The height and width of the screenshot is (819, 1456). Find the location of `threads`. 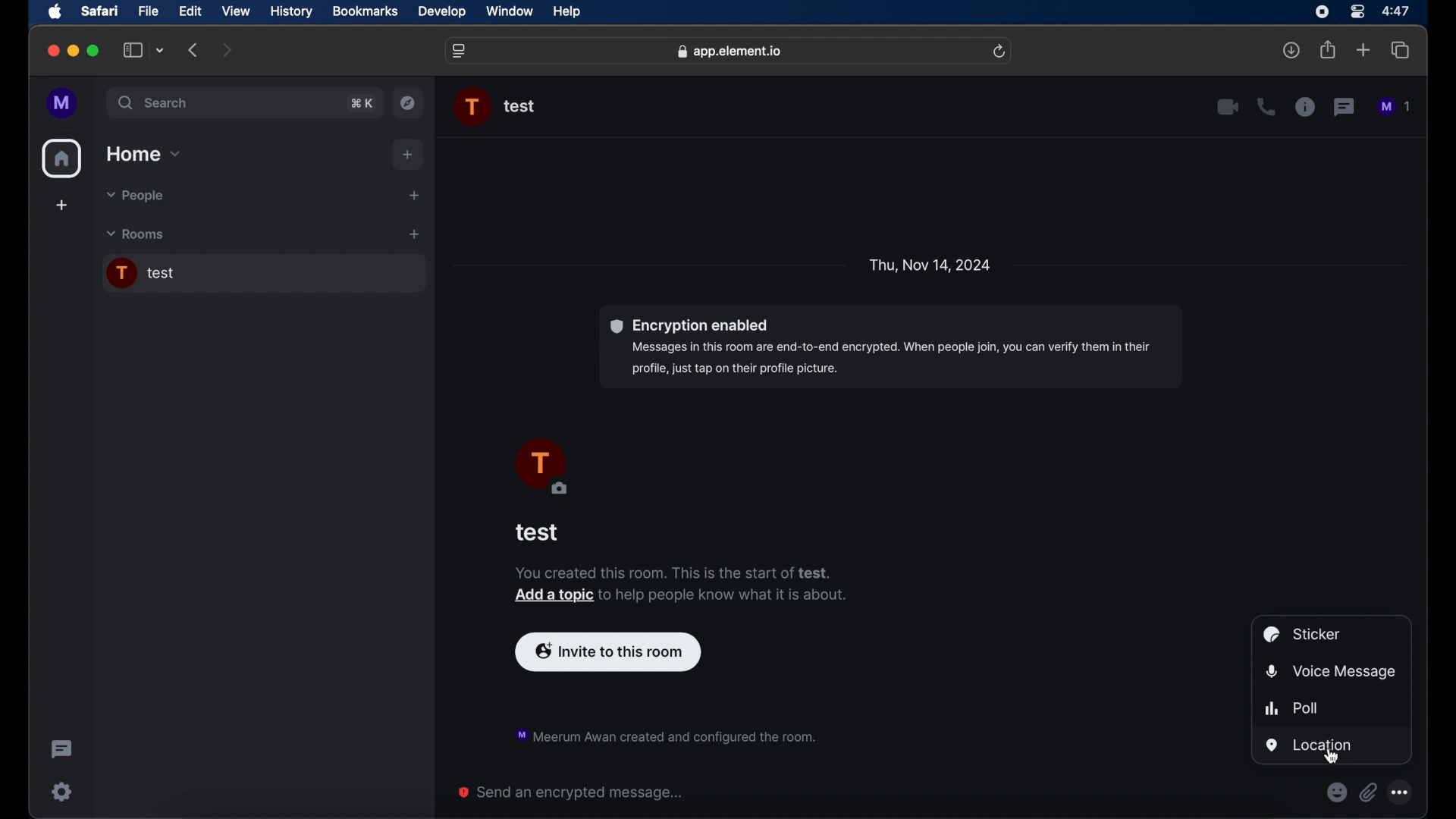

threads is located at coordinates (1345, 107).